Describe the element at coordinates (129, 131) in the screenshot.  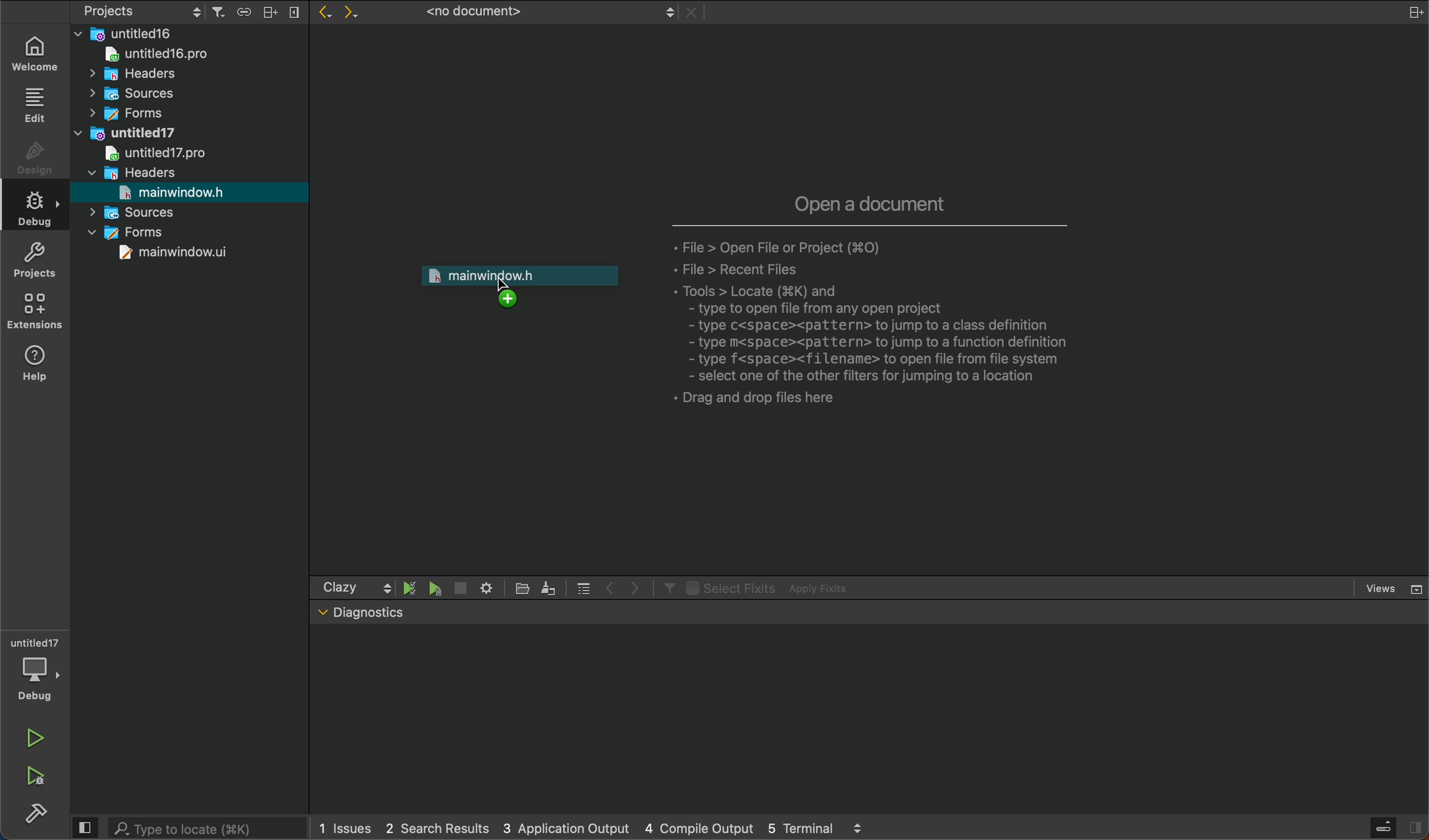
I see `untitled17` at that location.